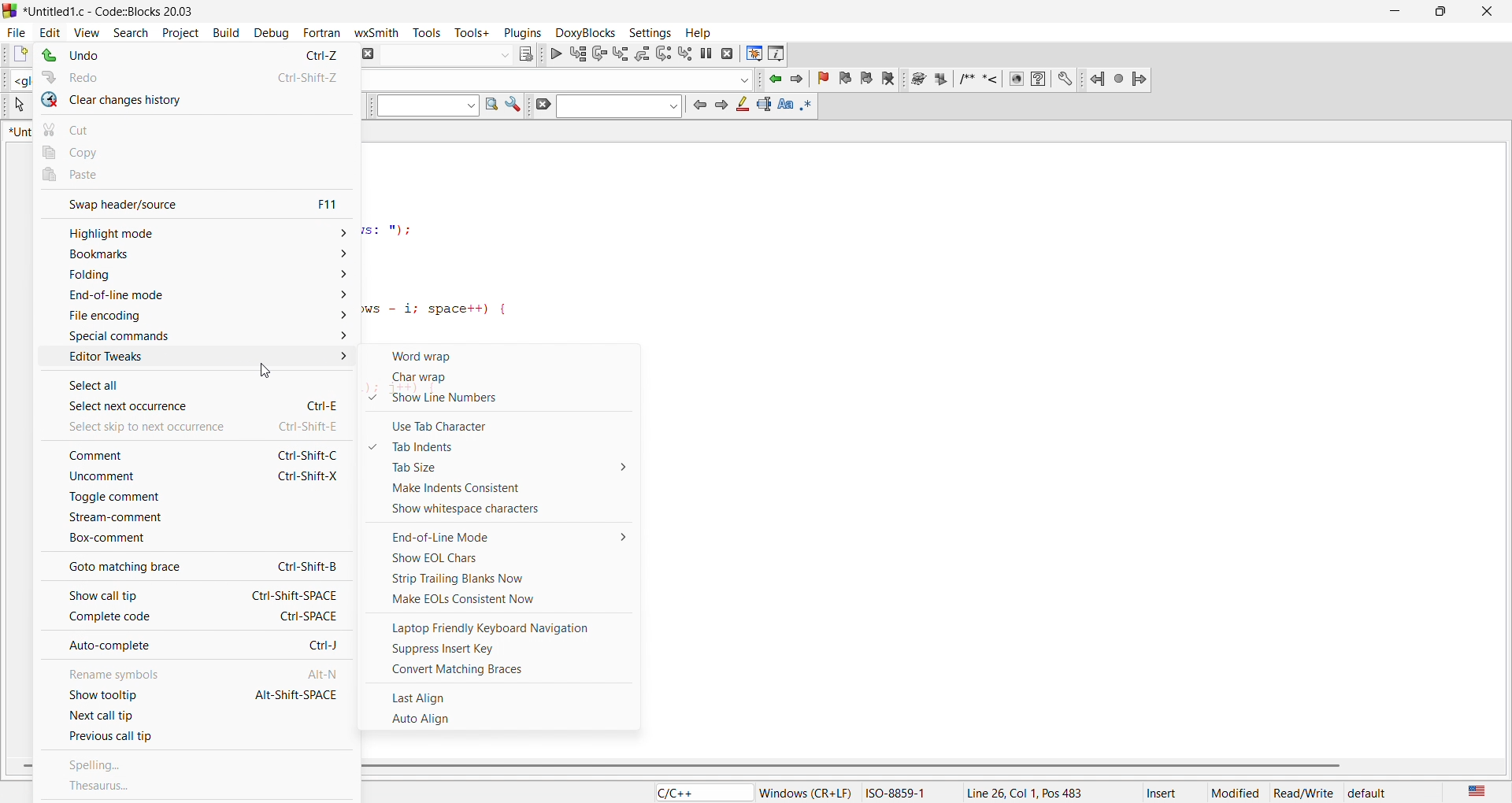 The image size is (1512, 803). I want to click on minimize, so click(1405, 10).